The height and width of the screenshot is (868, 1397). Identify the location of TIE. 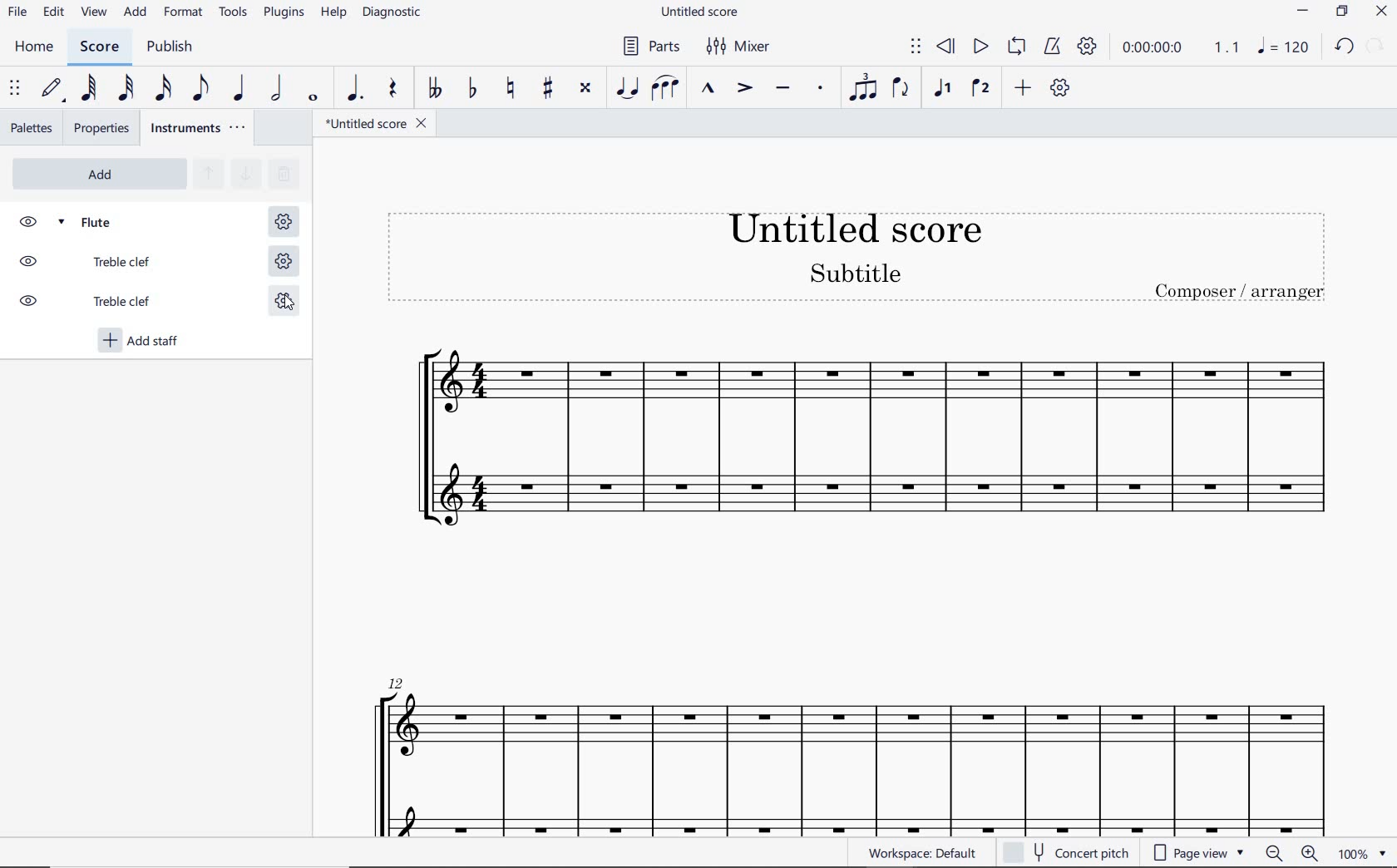
(628, 89).